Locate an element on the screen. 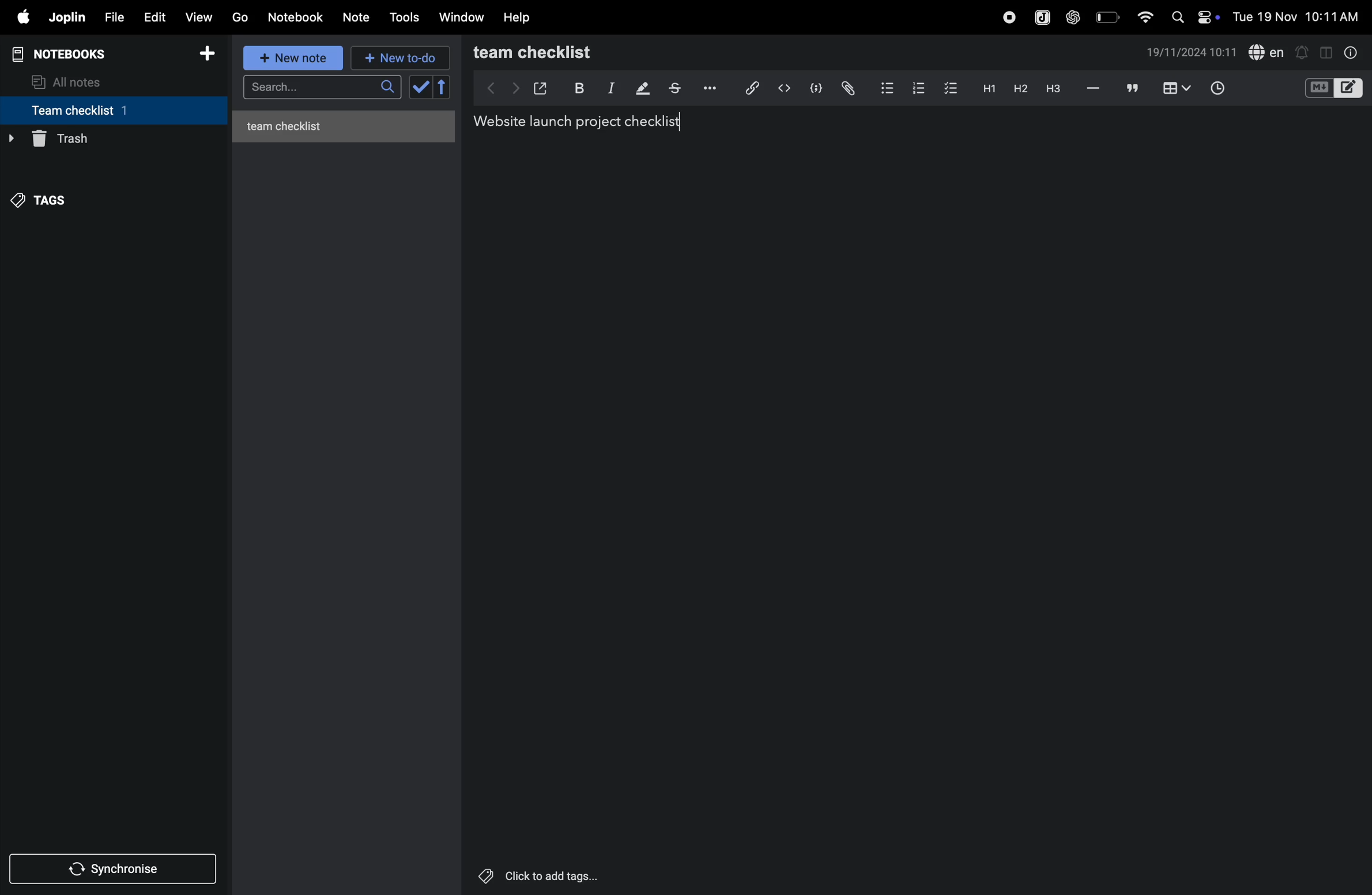  notebooks is located at coordinates (66, 52).